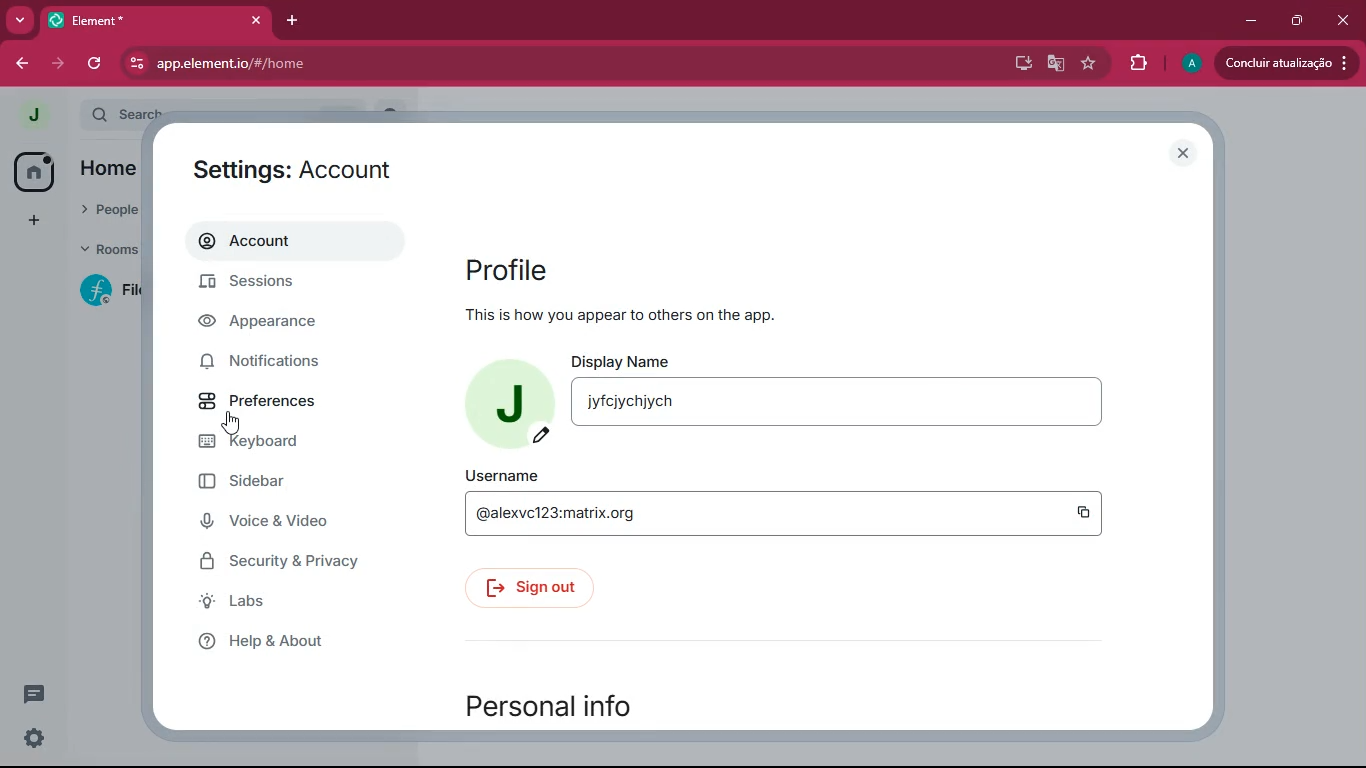 Image resolution: width=1366 pixels, height=768 pixels. What do you see at coordinates (511, 266) in the screenshot?
I see `profile` at bounding box center [511, 266].